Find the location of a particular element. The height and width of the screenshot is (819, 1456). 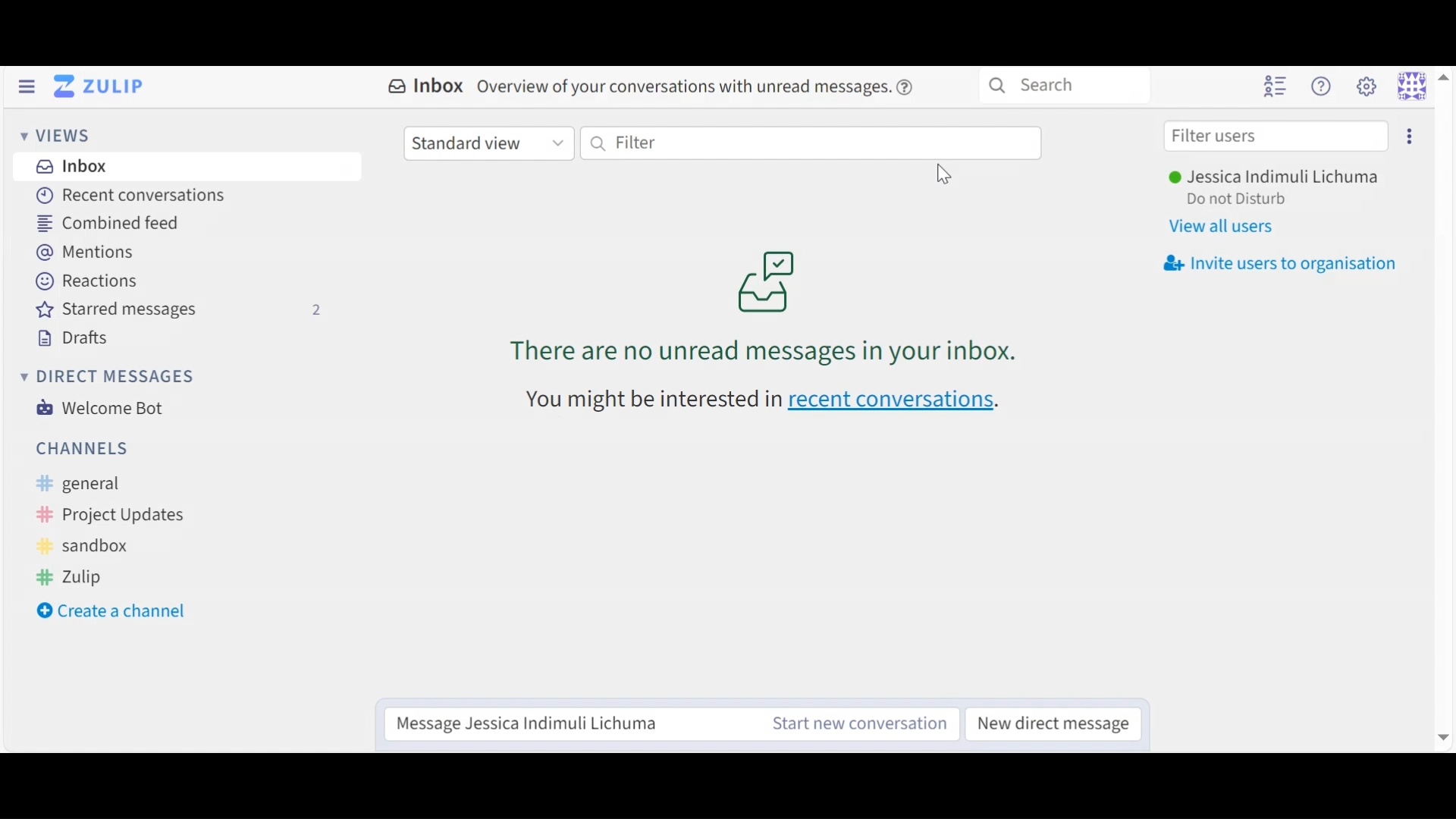

Reactions is located at coordinates (89, 282).